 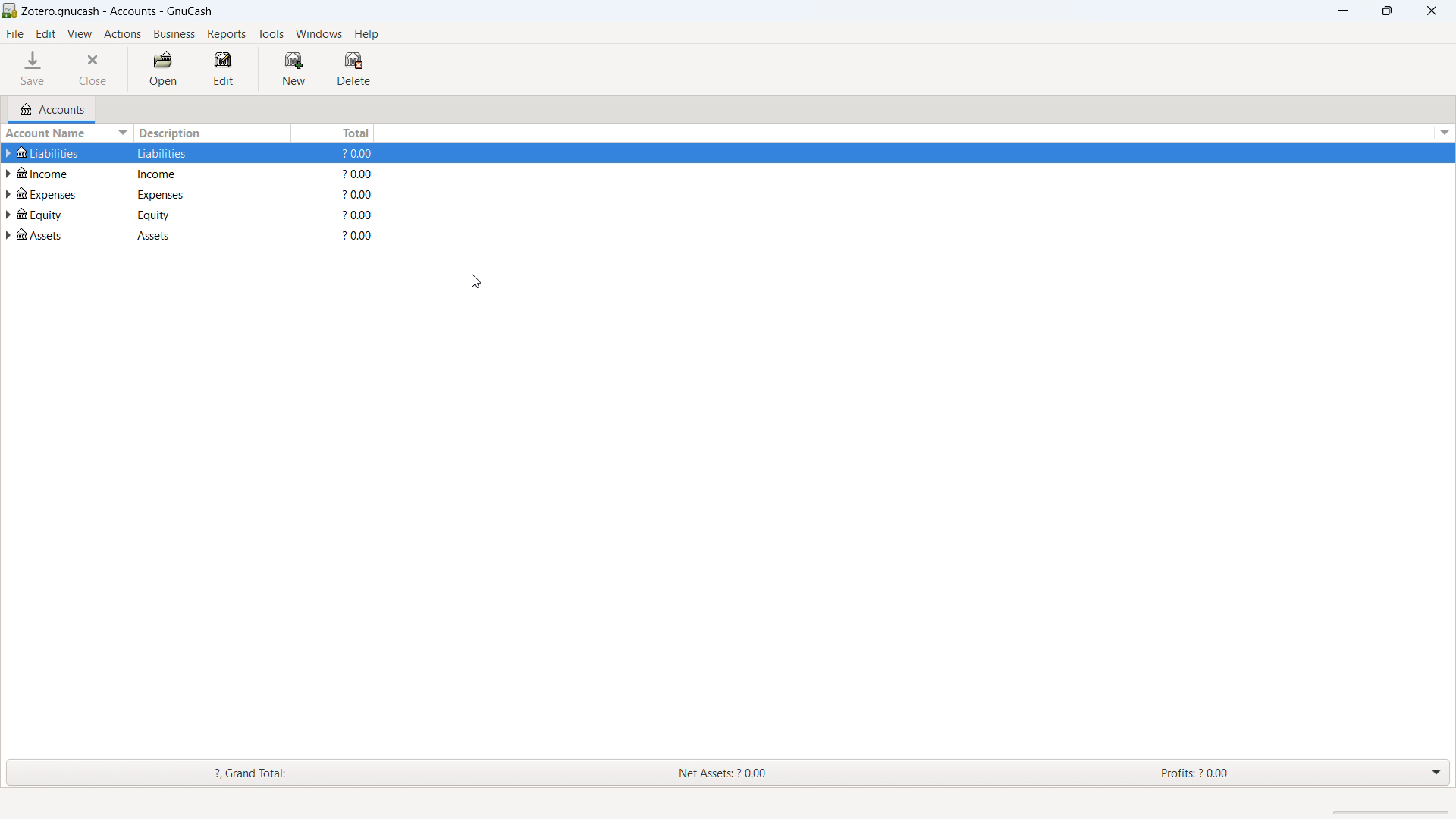 What do you see at coordinates (15, 33) in the screenshot?
I see `file` at bounding box center [15, 33].